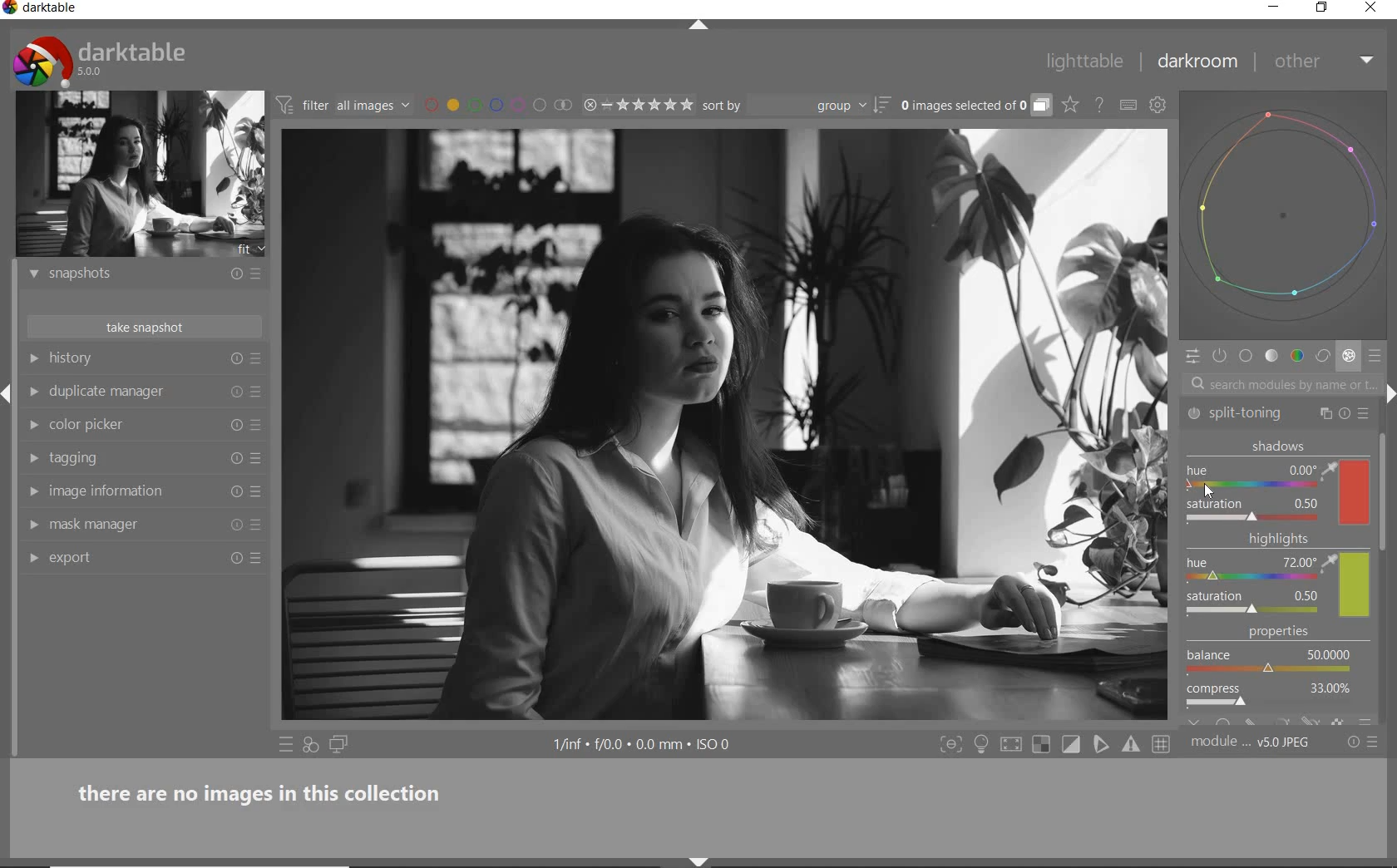 This screenshot has height=868, width=1397. I want to click on tagging, so click(131, 458).